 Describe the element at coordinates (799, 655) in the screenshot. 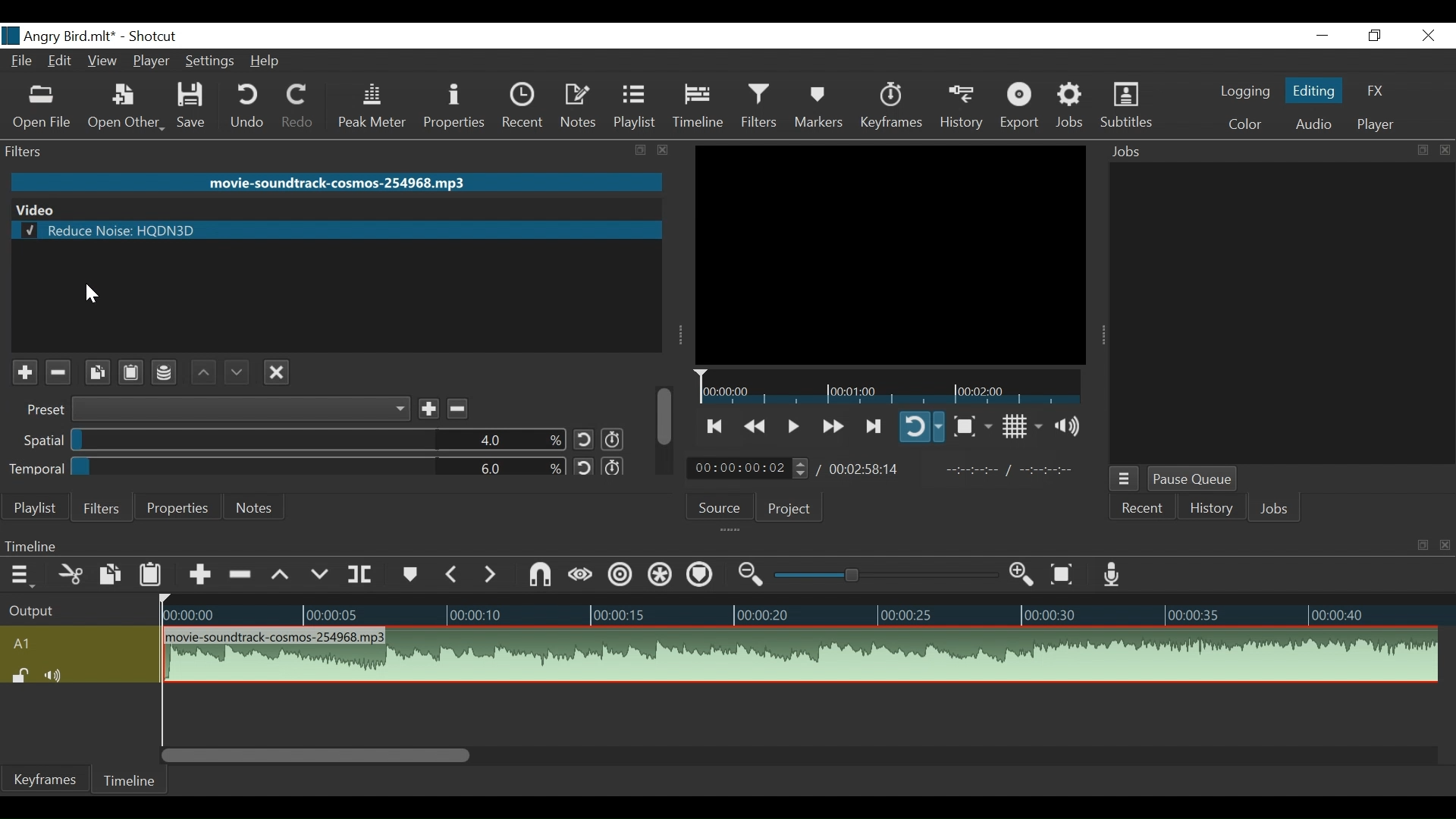

I see `Audio track clip` at that location.